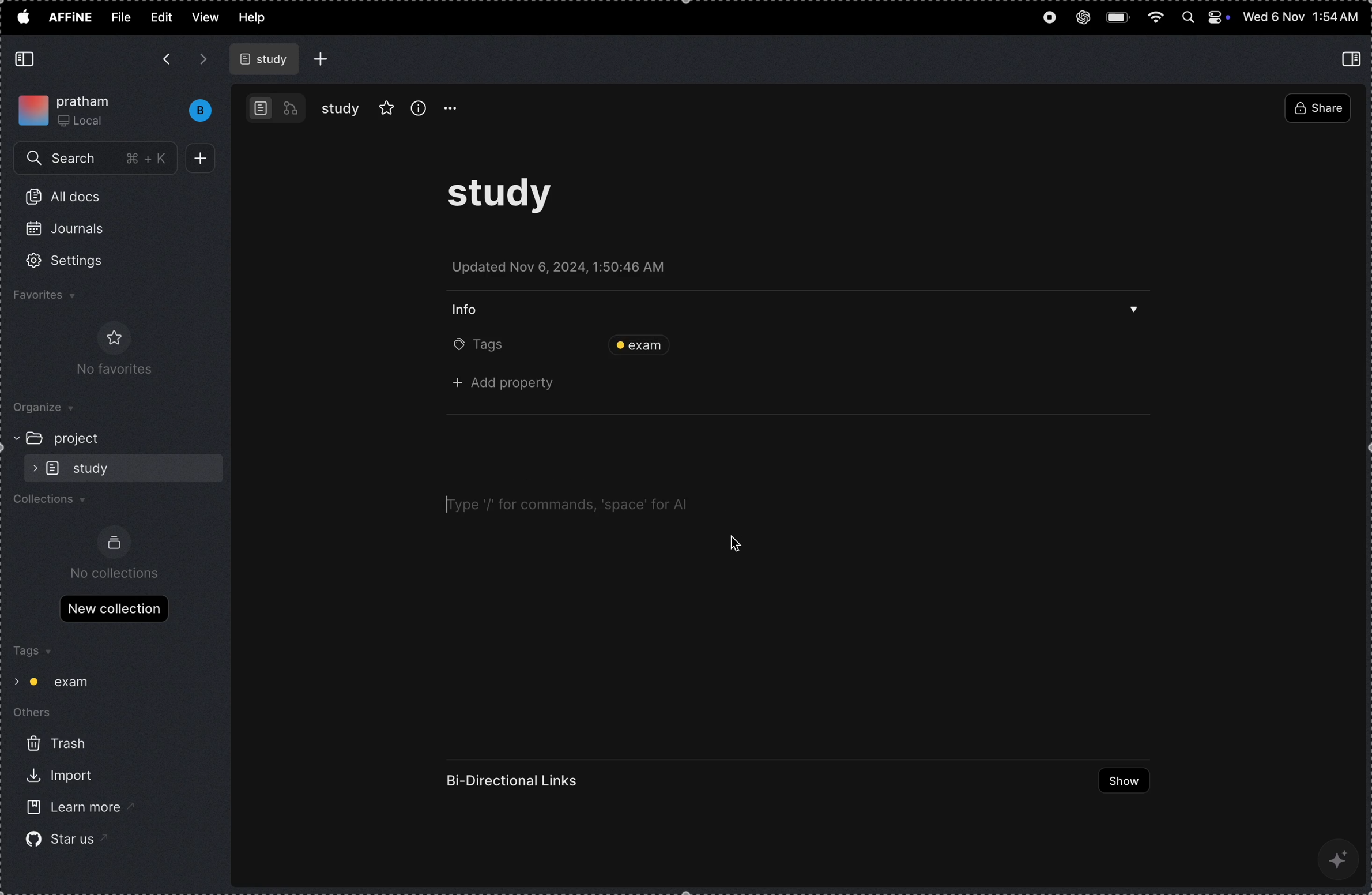  I want to click on updated, so click(569, 270).